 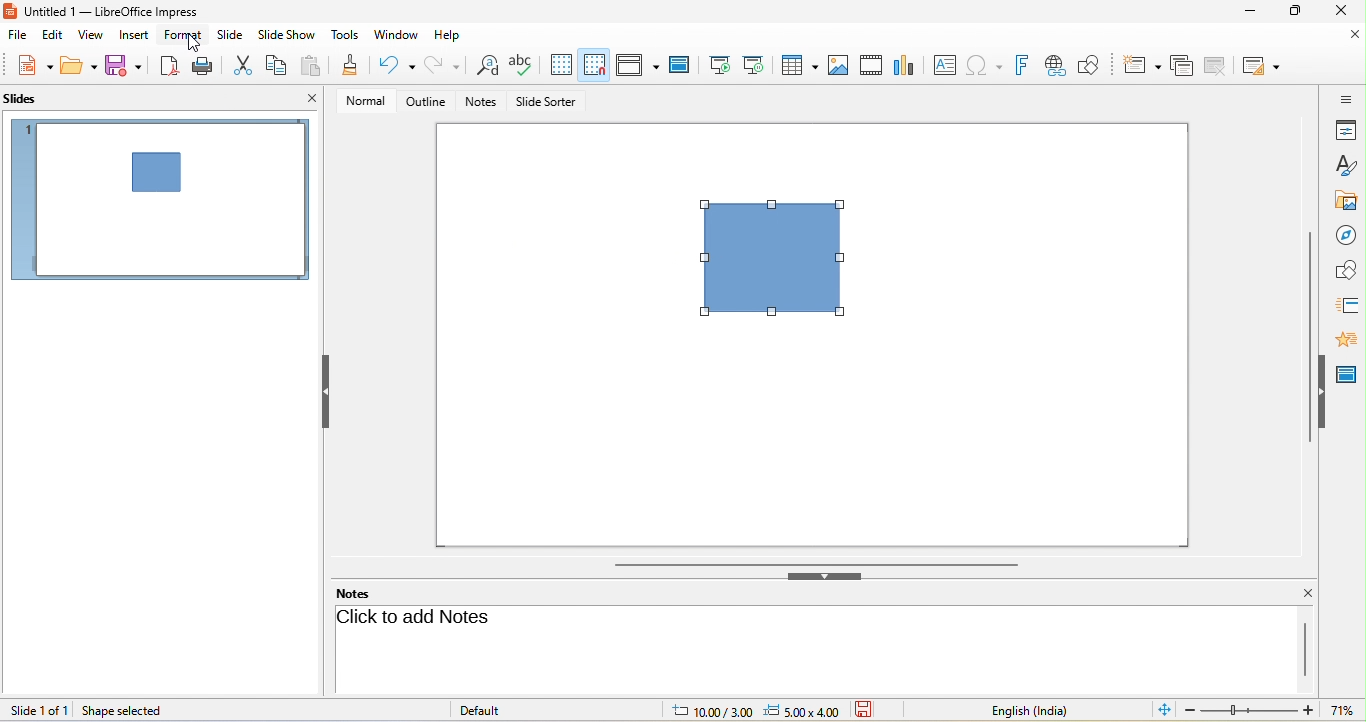 I want to click on paste, so click(x=313, y=67).